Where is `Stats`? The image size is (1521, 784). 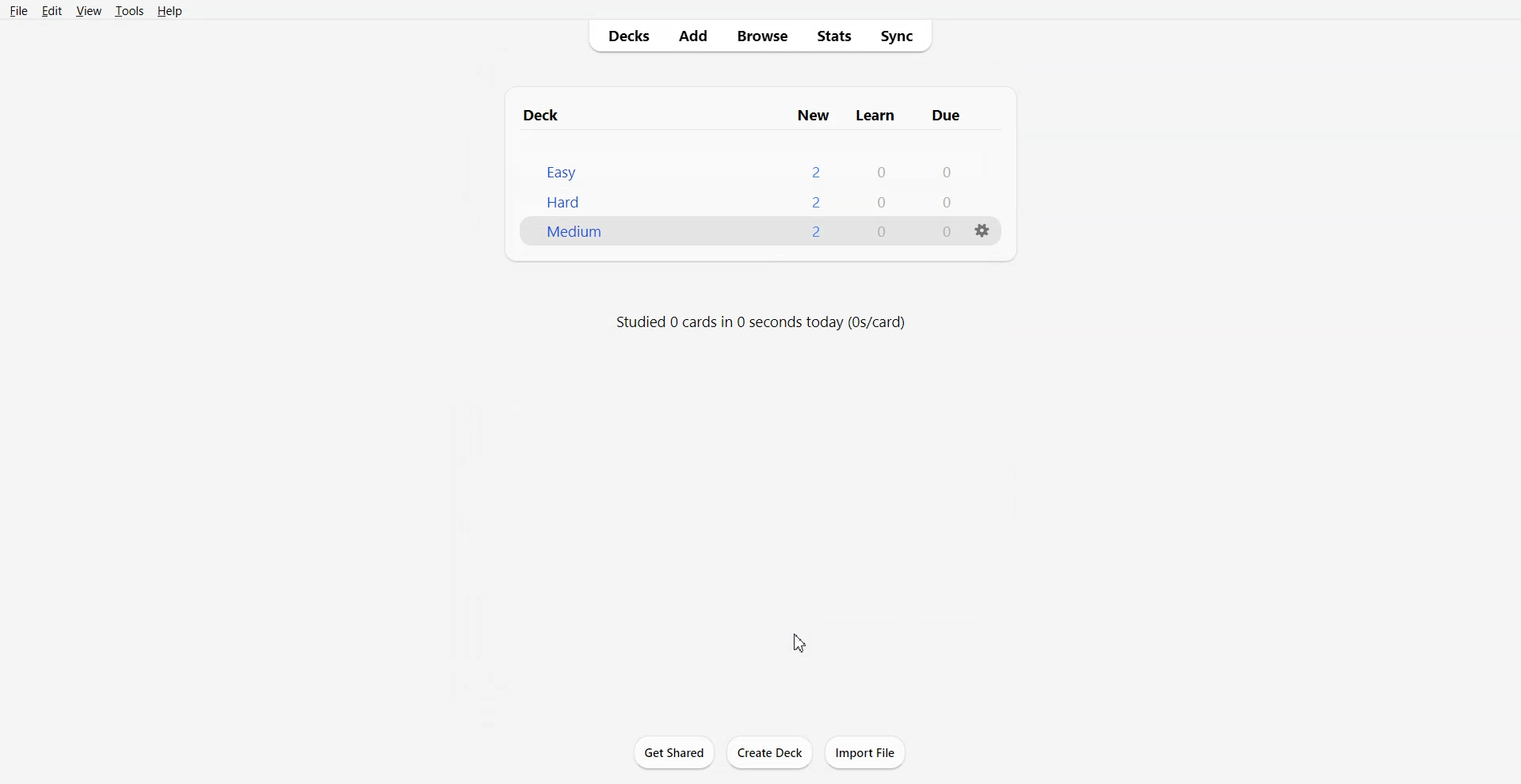
Stats is located at coordinates (834, 36).